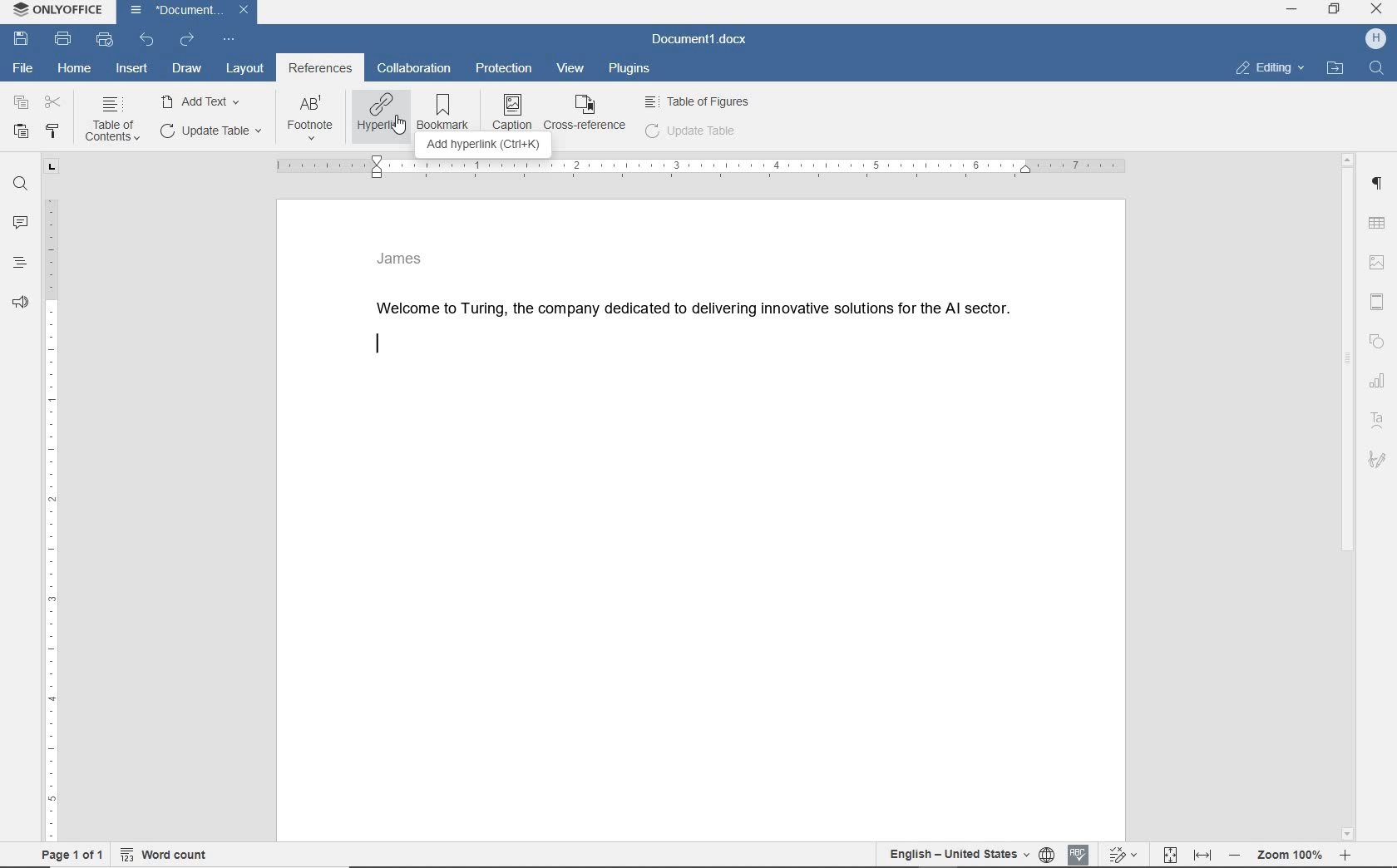 The height and width of the screenshot is (868, 1397). Describe the element at coordinates (186, 40) in the screenshot. I see `redo` at that location.